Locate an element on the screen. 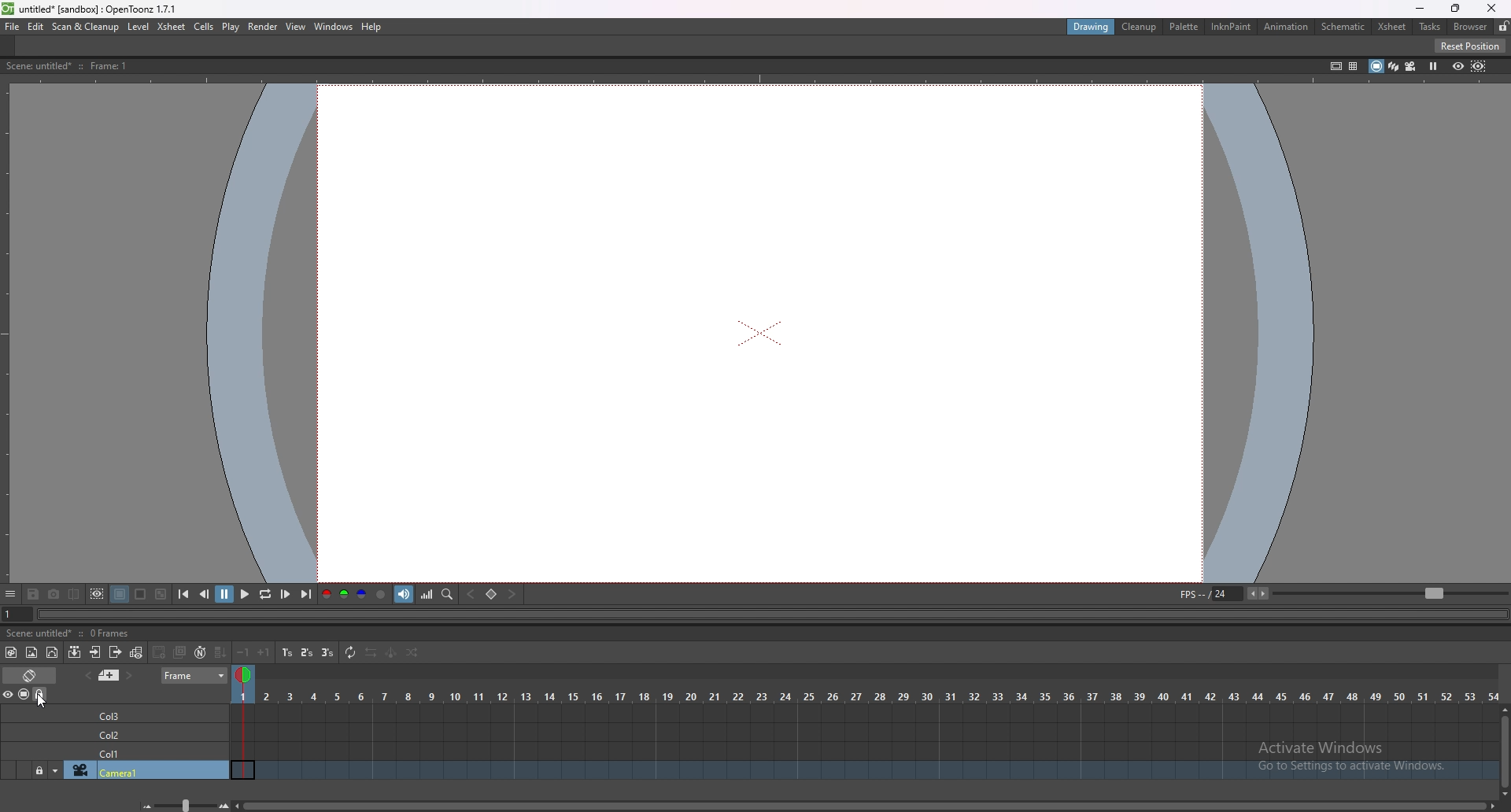 The image size is (1511, 812). black background is located at coordinates (119, 594).